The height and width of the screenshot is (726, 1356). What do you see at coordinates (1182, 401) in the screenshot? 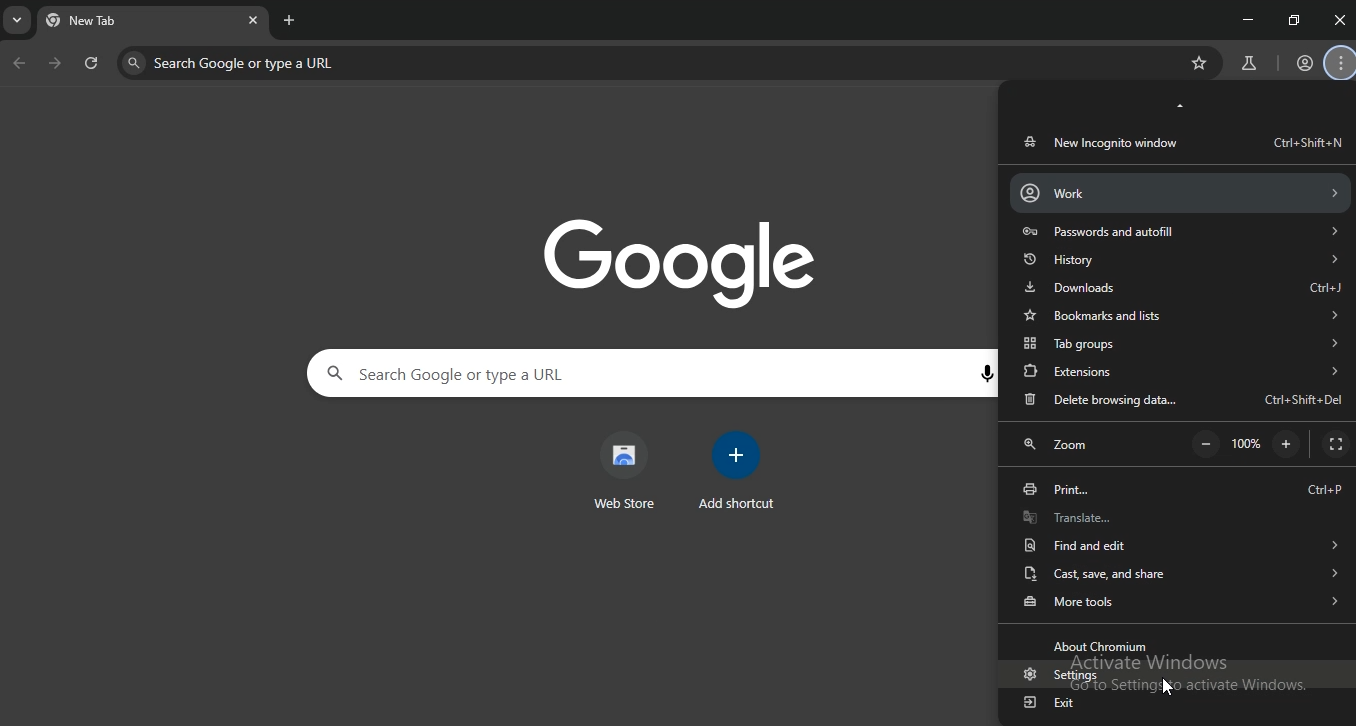
I see `delete browsing data` at bounding box center [1182, 401].